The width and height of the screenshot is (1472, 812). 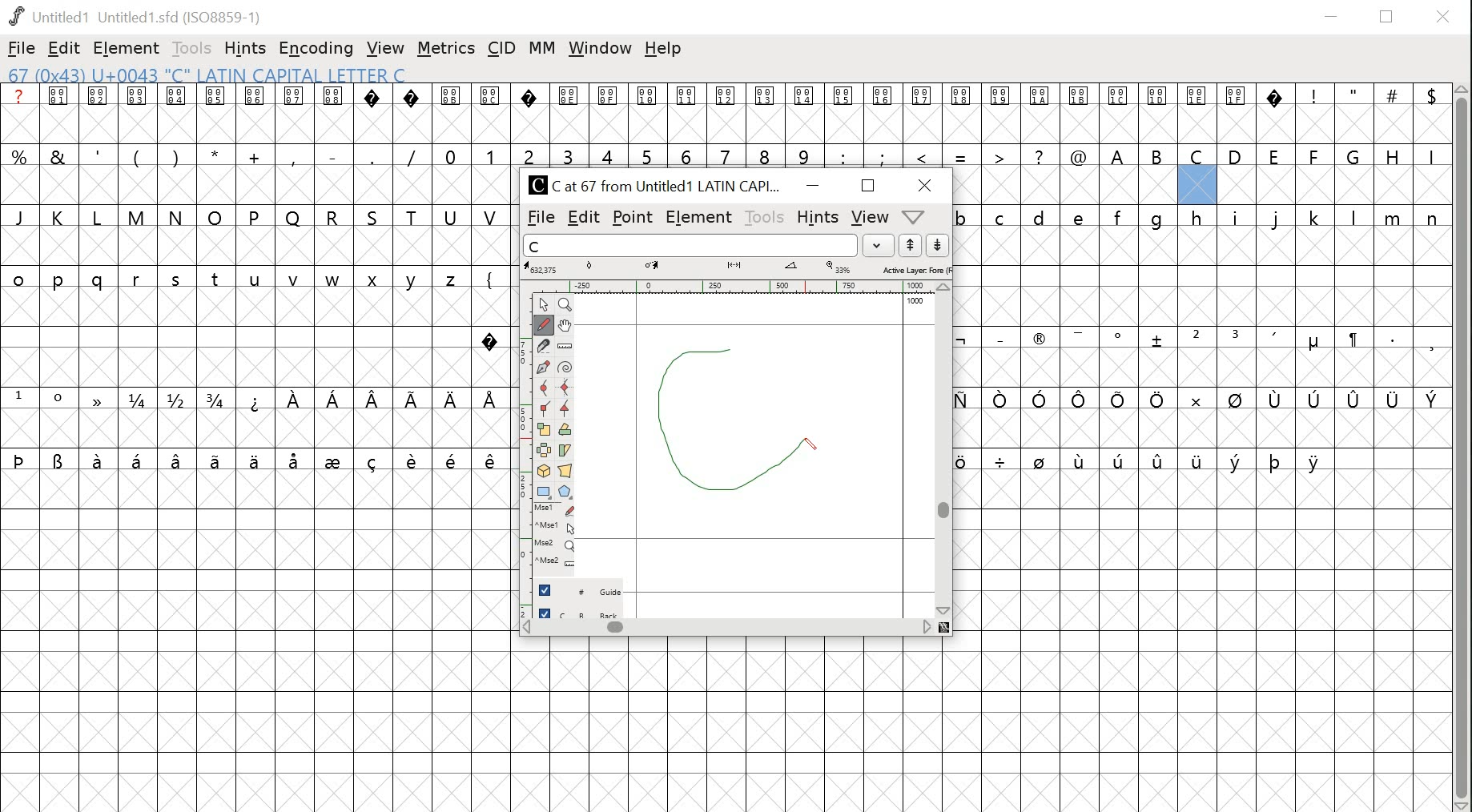 I want to click on word list input field, so click(x=688, y=245).